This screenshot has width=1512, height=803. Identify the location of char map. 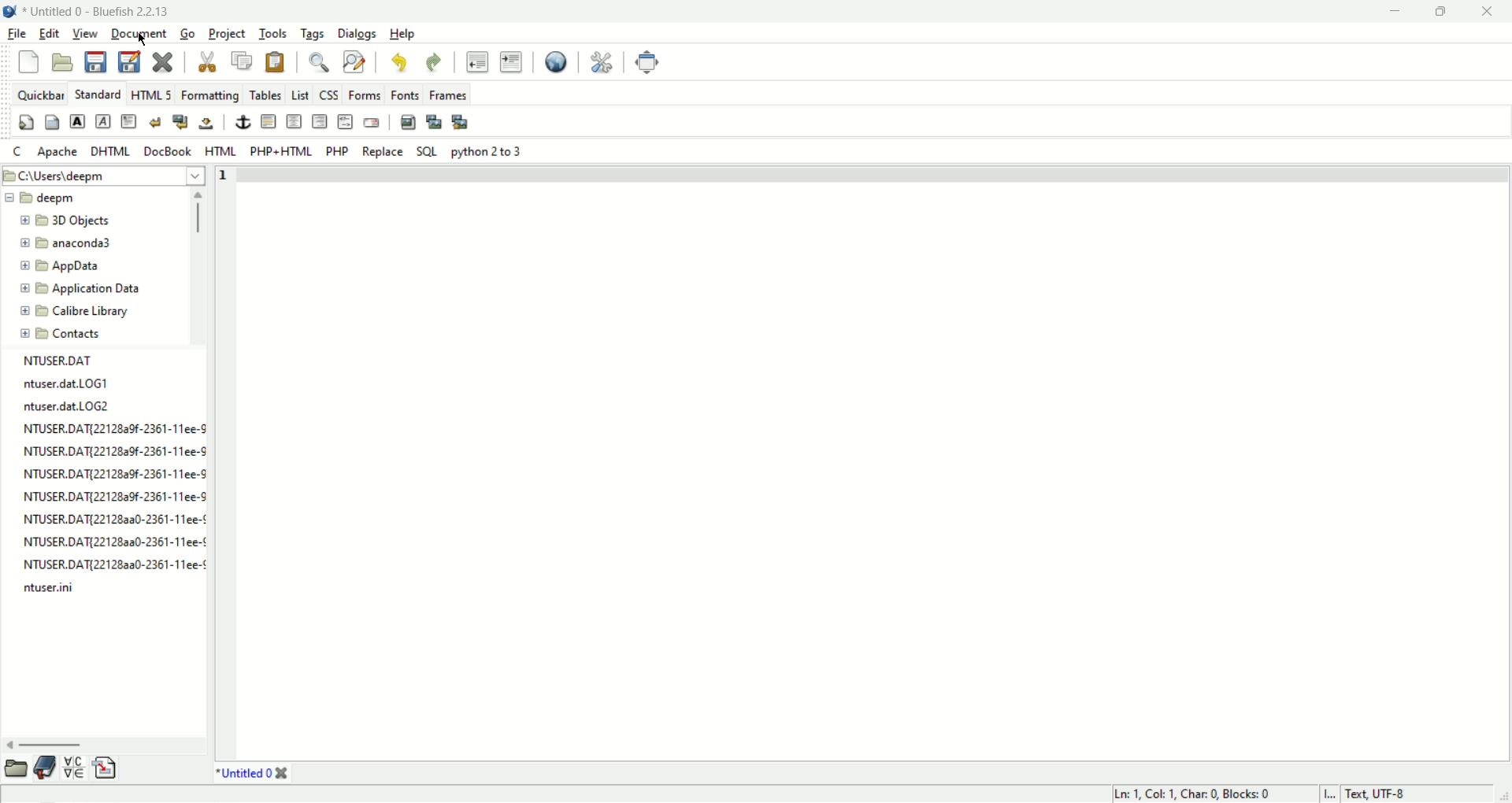
(76, 769).